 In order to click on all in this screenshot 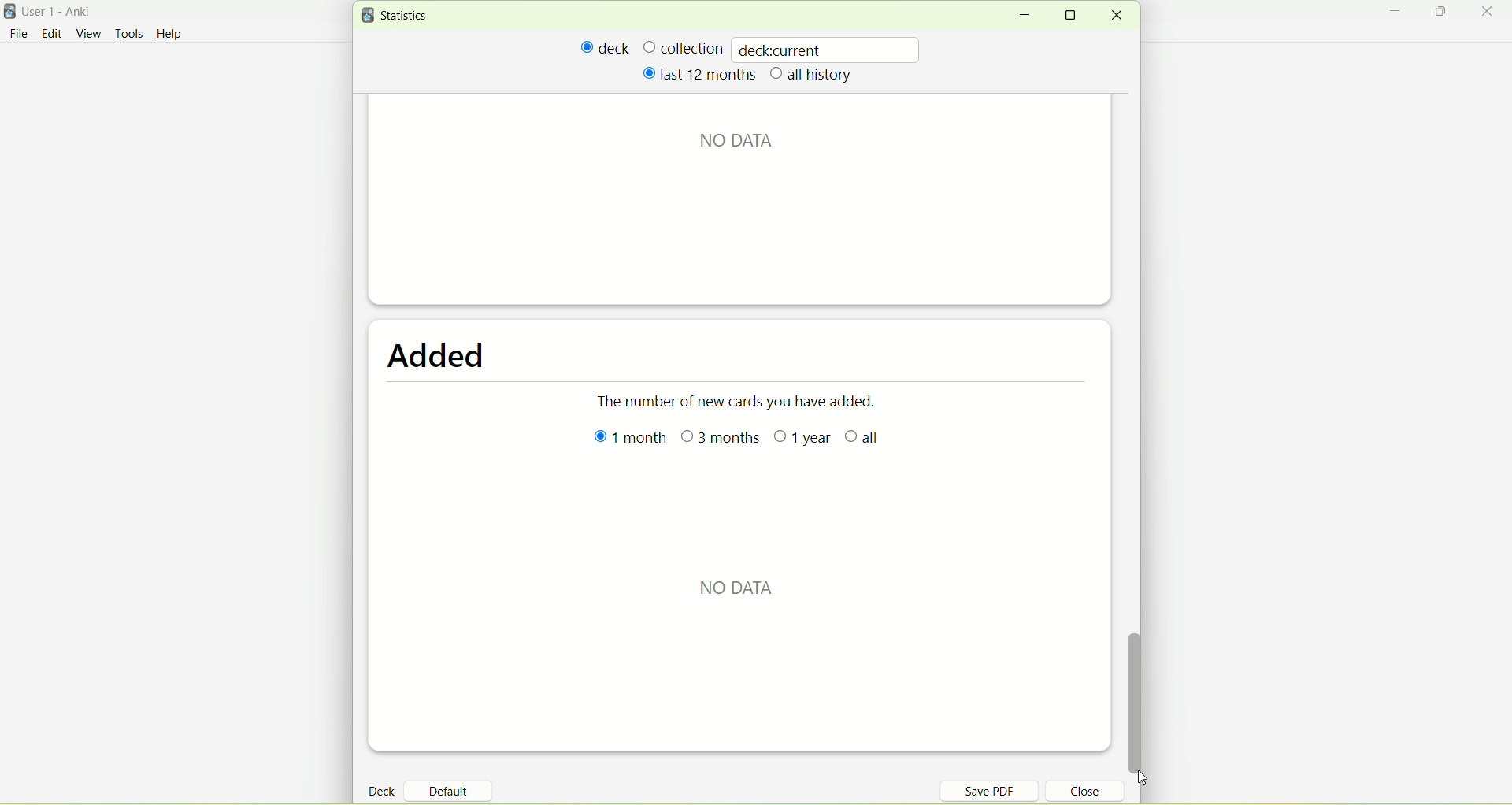, I will do `click(876, 443)`.